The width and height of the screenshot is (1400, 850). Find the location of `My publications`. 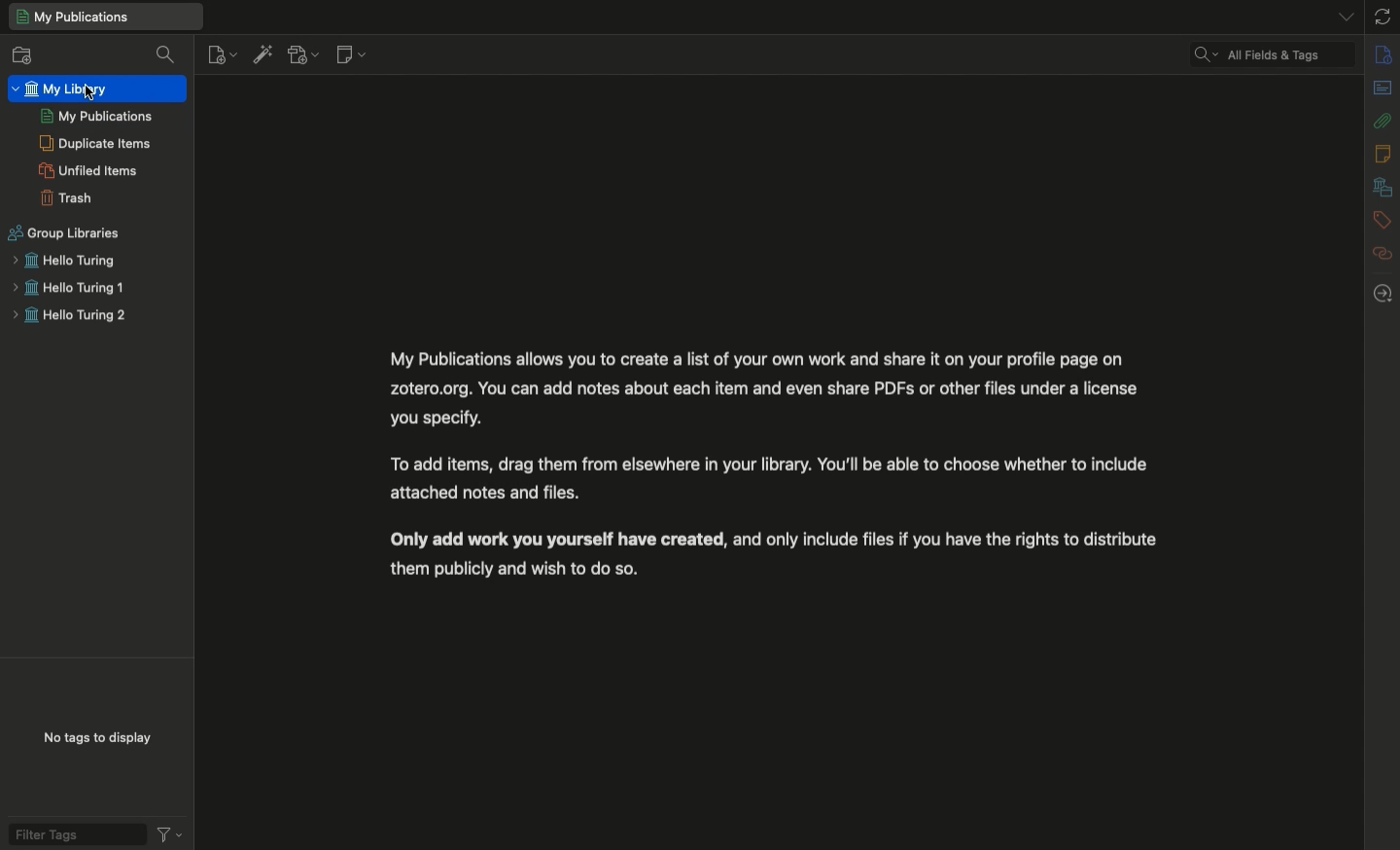

My publications is located at coordinates (97, 118).